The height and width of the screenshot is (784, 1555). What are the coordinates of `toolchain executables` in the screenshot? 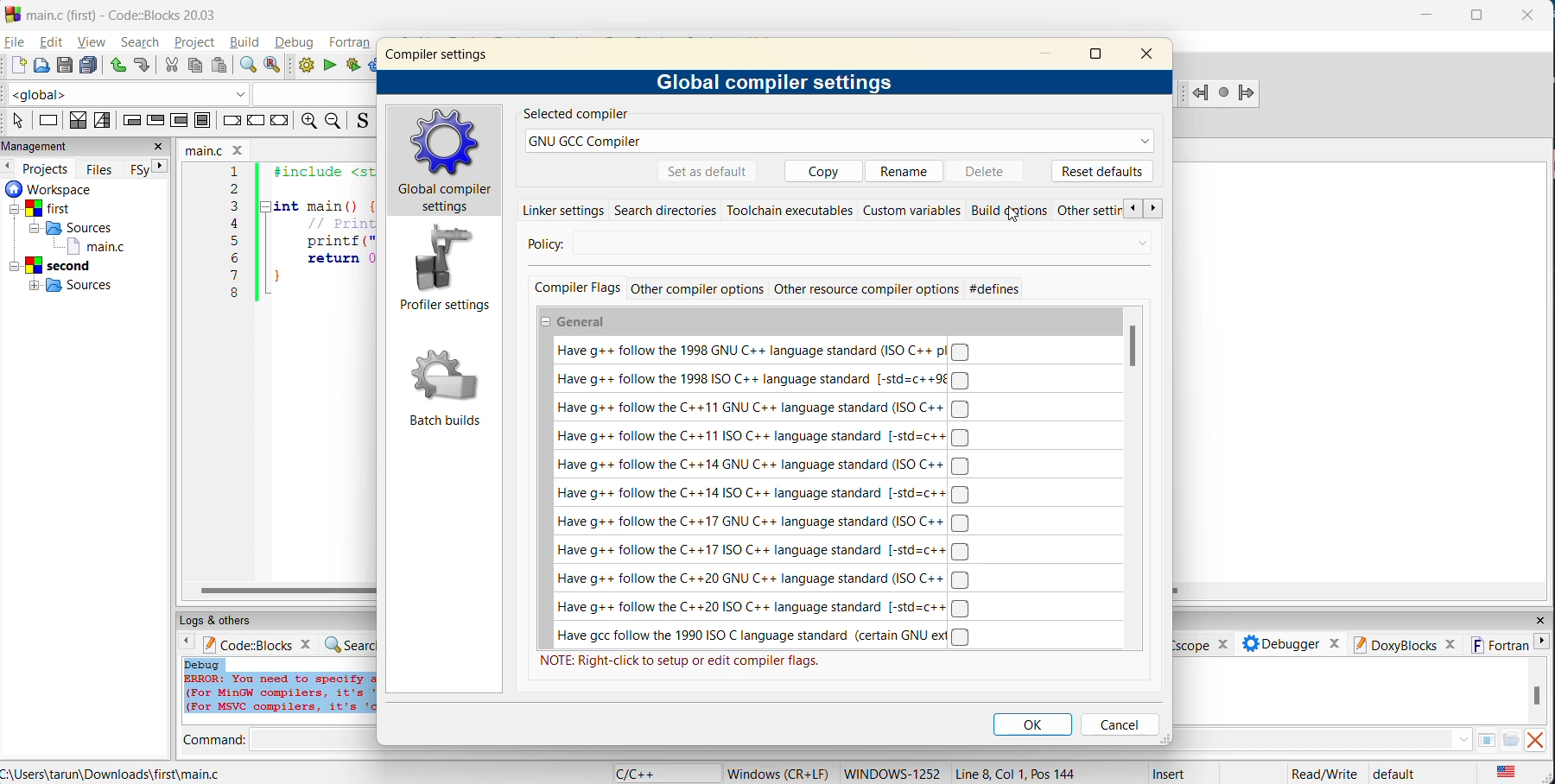 It's located at (789, 209).